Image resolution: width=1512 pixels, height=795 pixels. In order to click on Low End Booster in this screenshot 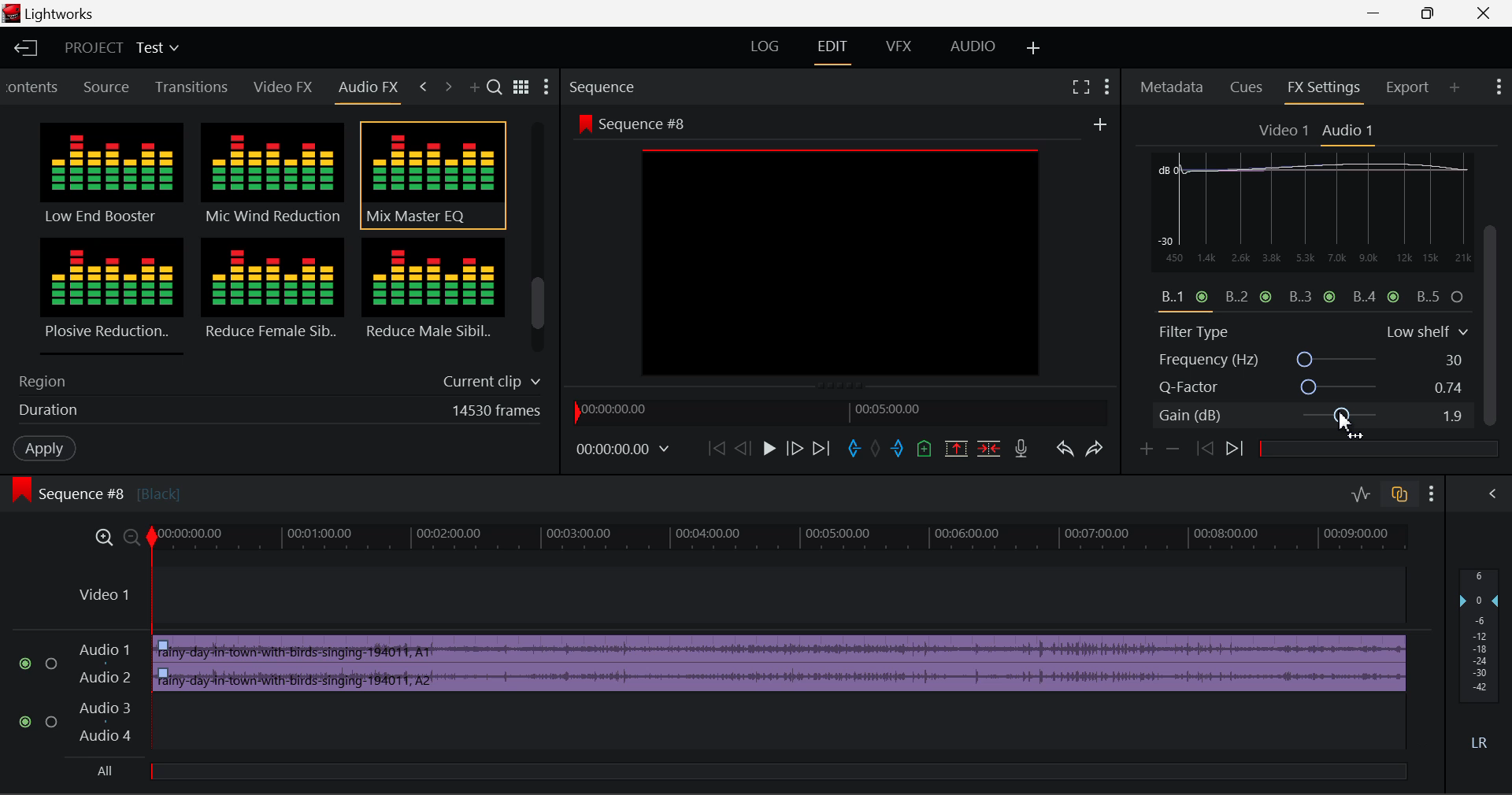, I will do `click(109, 175)`.